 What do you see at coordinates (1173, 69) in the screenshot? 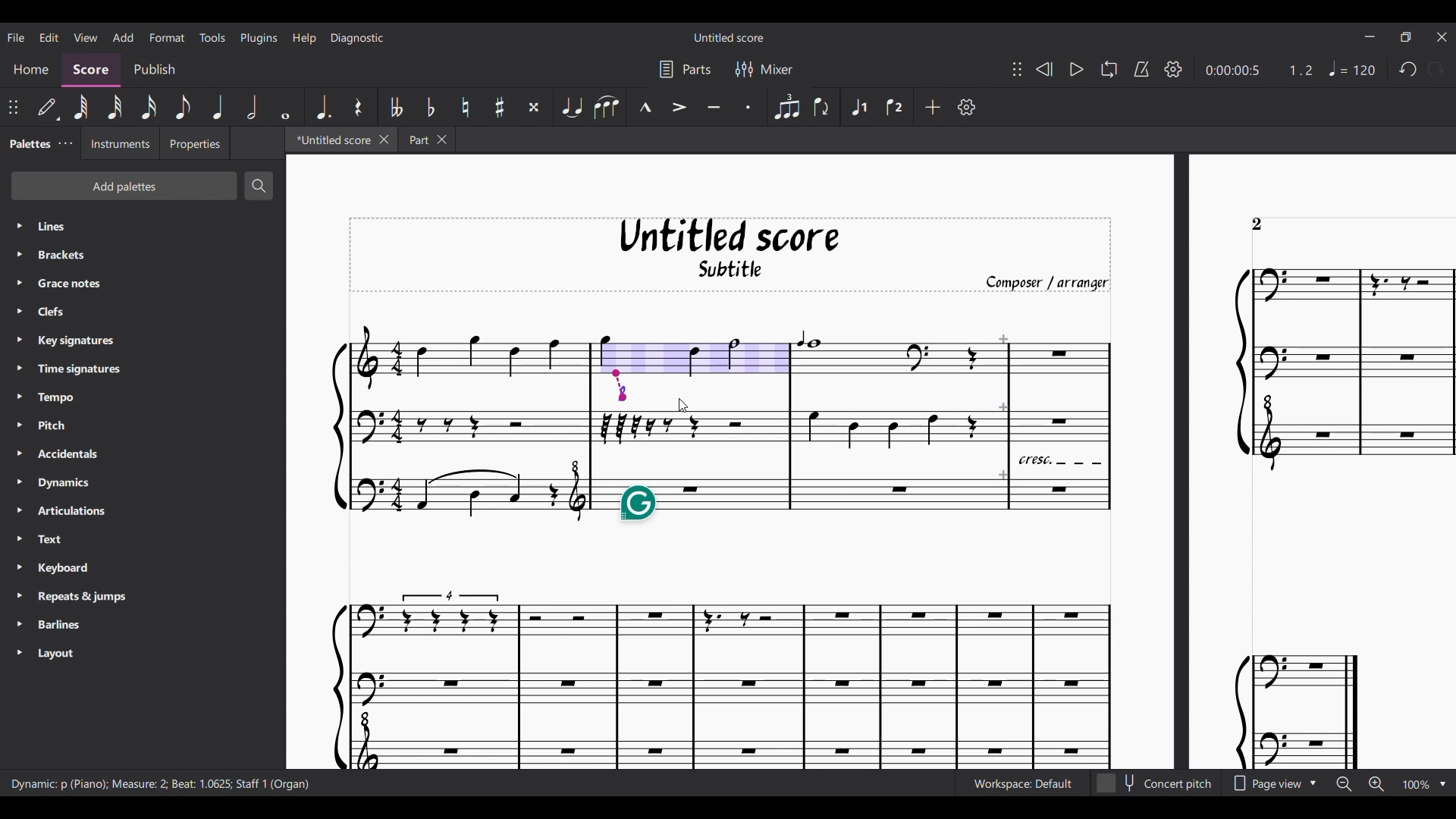
I see `Playback setting` at bounding box center [1173, 69].